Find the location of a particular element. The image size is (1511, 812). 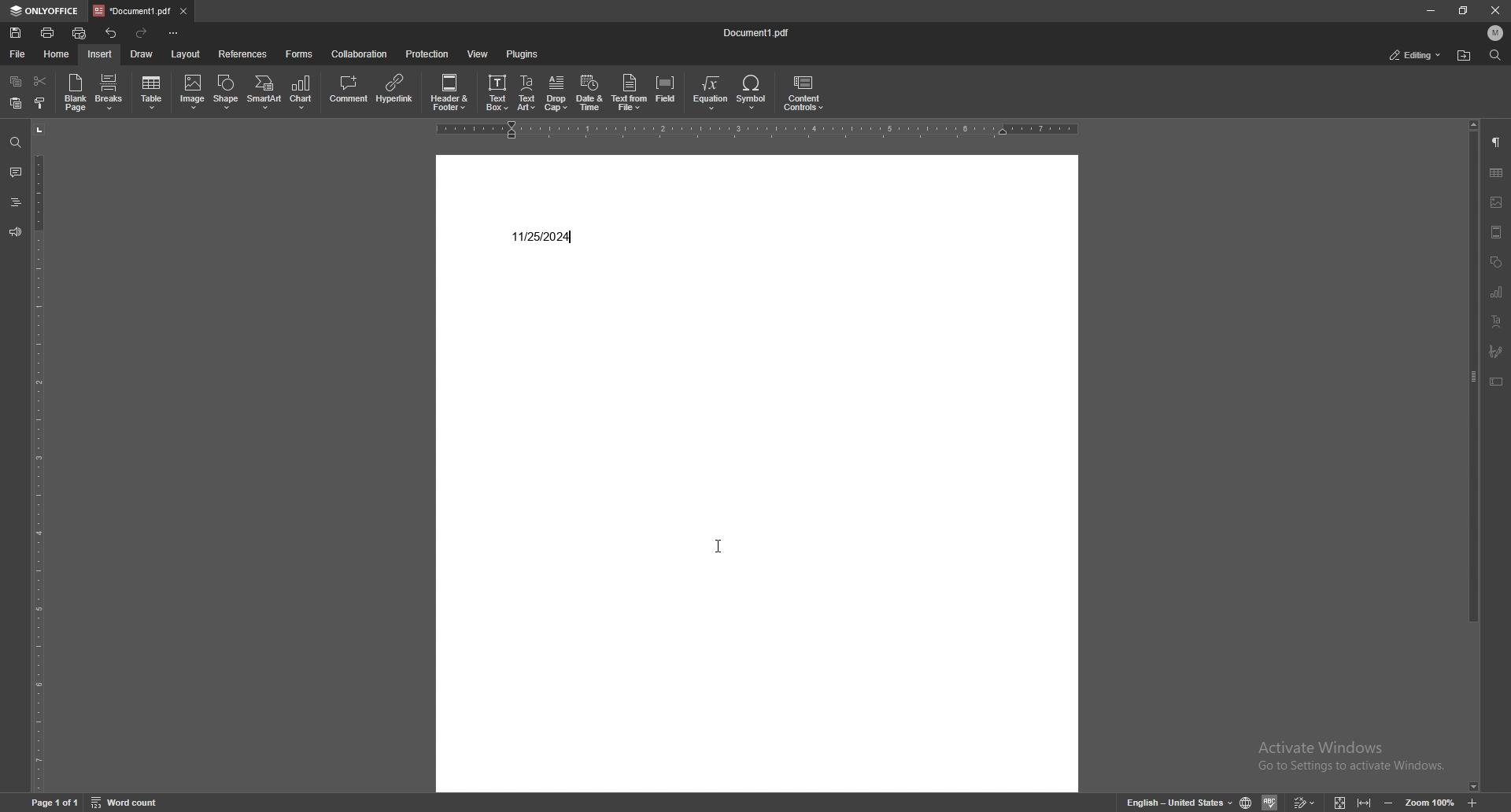

select is located at coordinates (40, 103).